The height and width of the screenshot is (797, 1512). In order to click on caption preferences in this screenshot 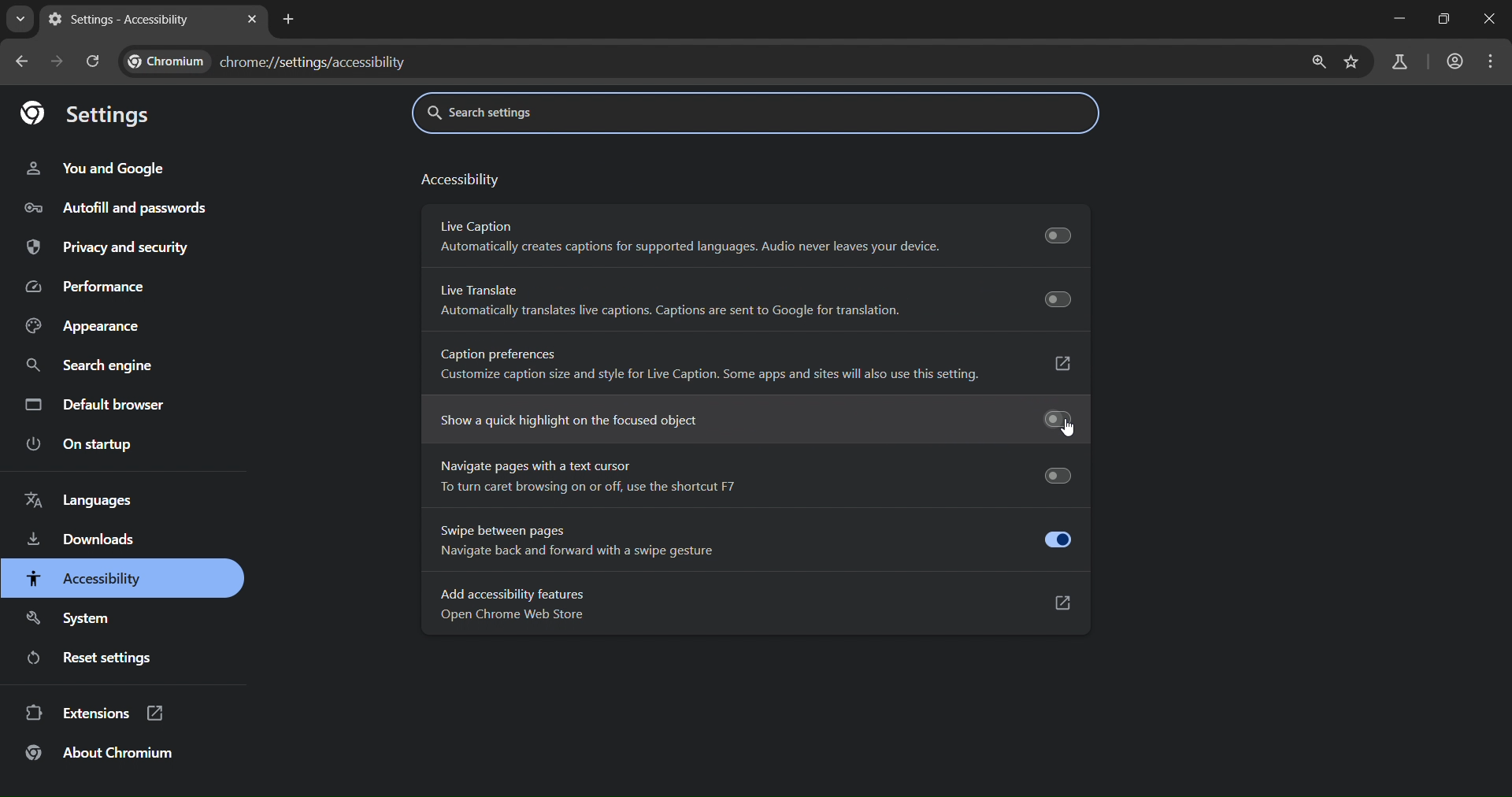, I will do `click(713, 366)`.